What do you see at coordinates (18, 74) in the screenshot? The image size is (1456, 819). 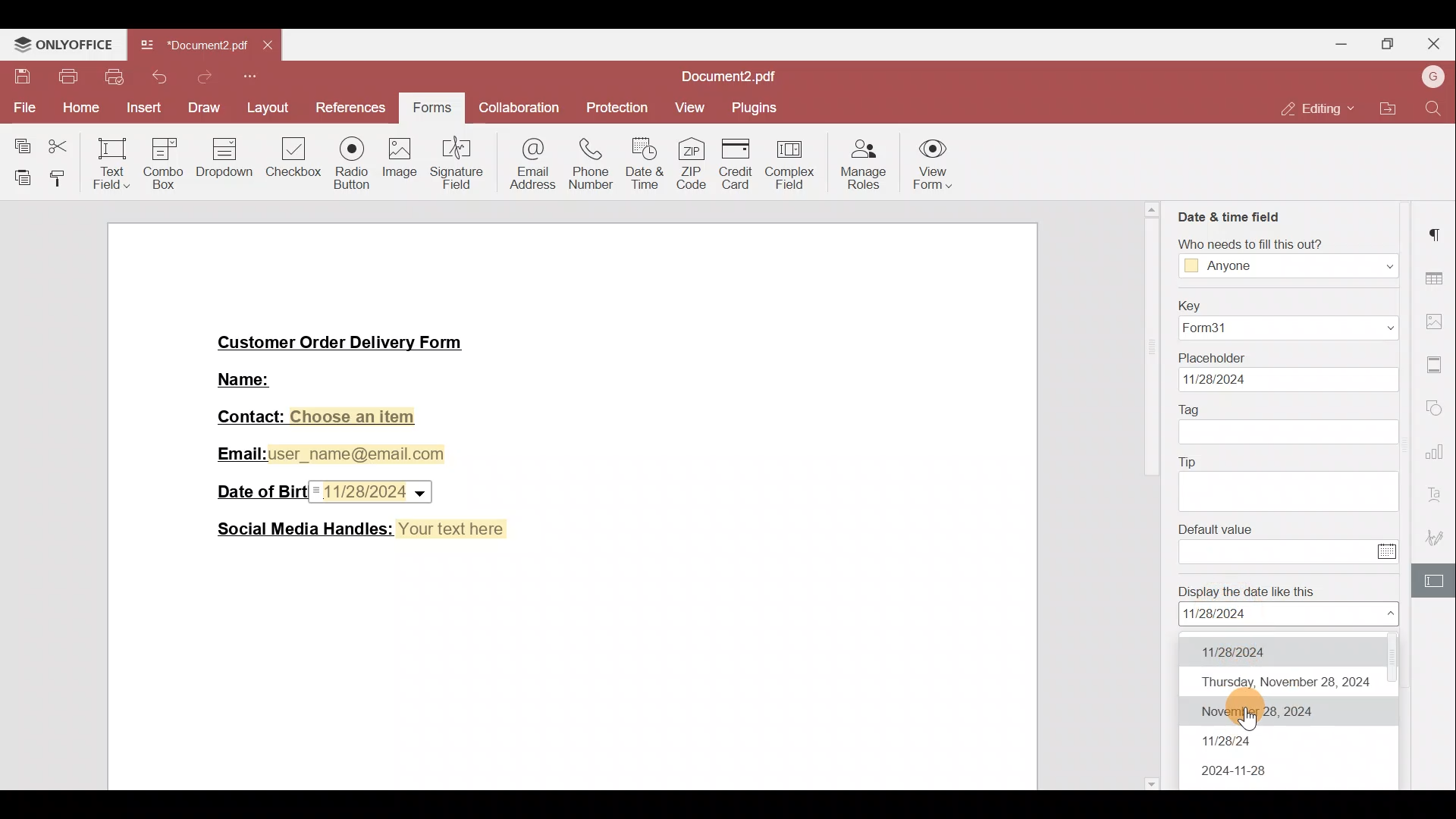 I see `Save` at bounding box center [18, 74].